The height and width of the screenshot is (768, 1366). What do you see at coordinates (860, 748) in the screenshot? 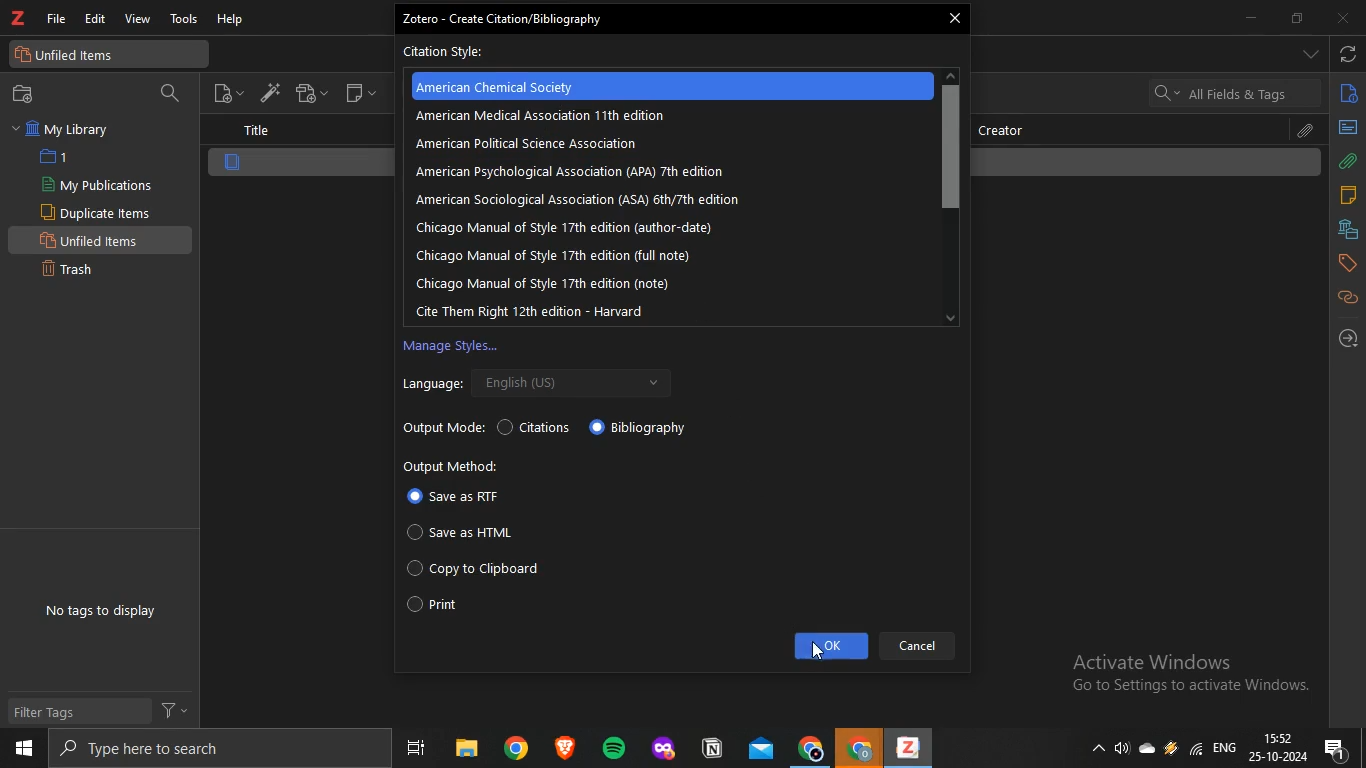
I see `chrome` at bounding box center [860, 748].